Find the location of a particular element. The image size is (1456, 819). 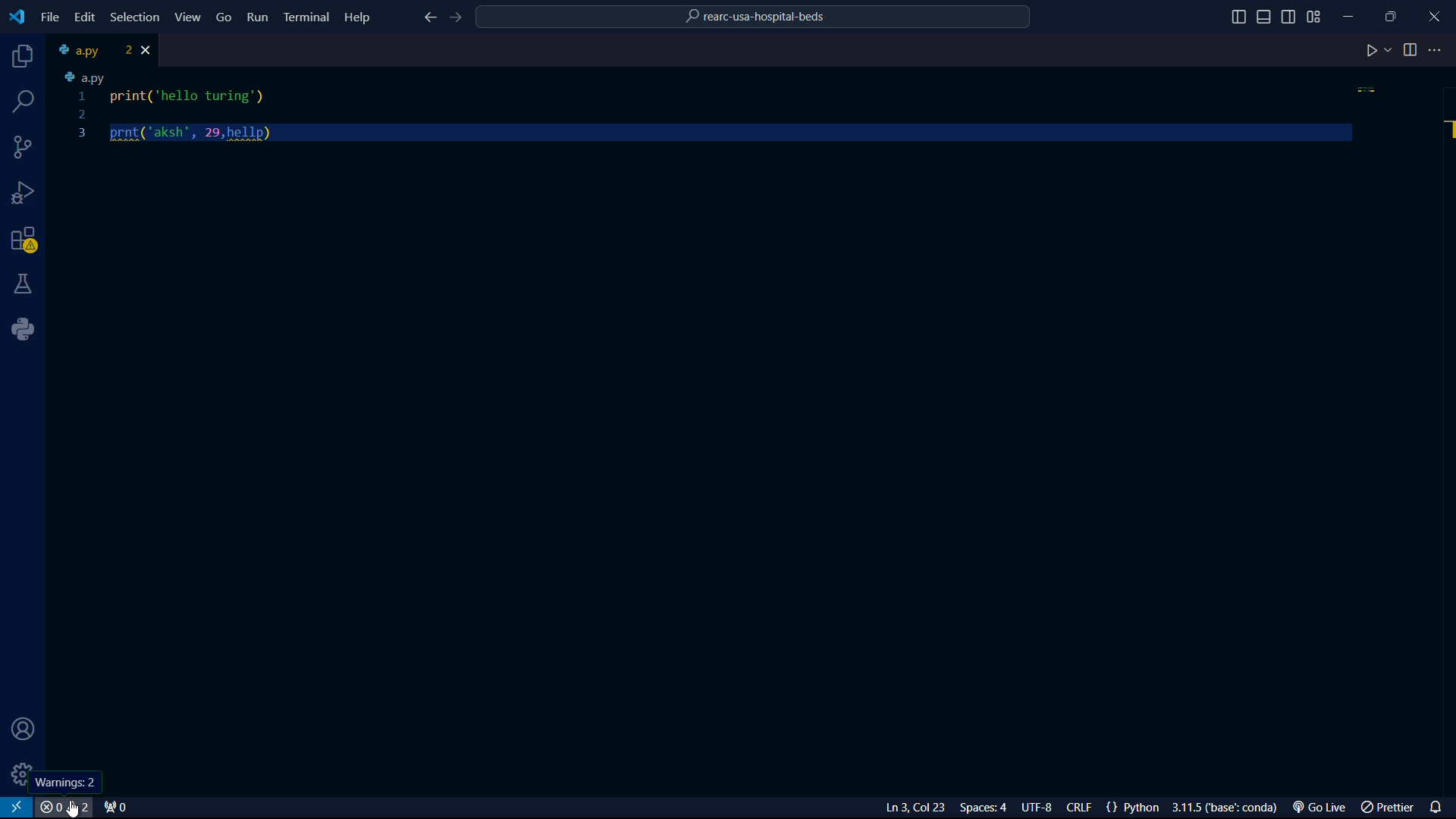

minimize is located at coordinates (1353, 13).